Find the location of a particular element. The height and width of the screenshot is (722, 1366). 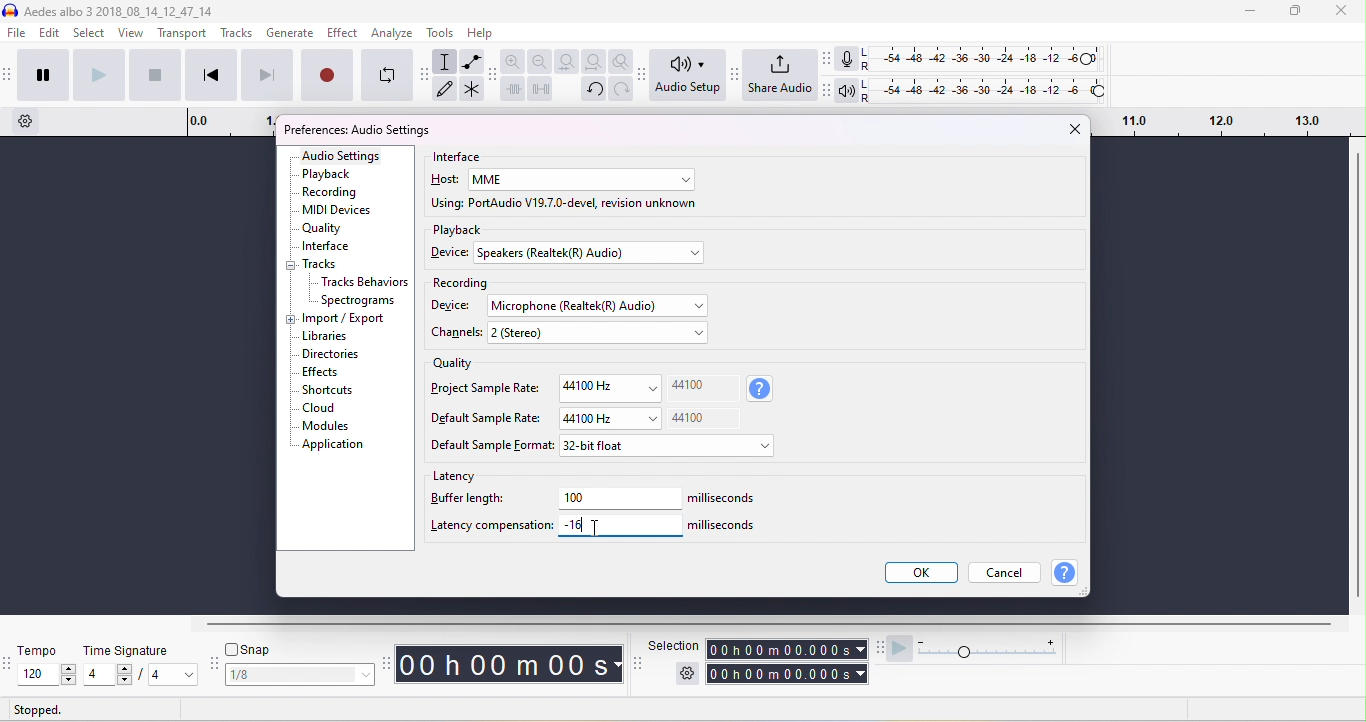

selection time is located at coordinates (778, 650).